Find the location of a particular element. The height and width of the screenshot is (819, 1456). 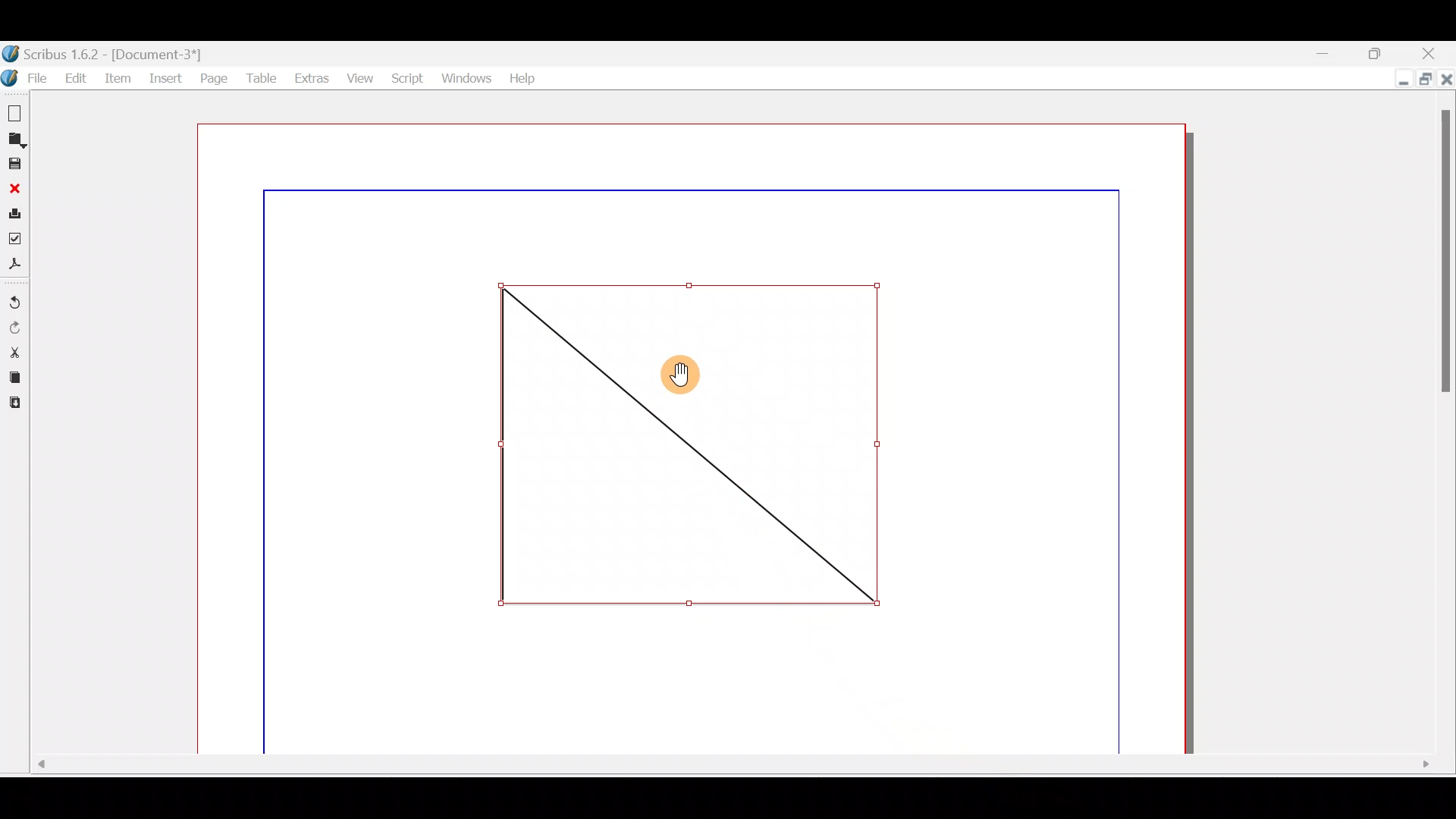

Insert is located at coordinates (165, 79).